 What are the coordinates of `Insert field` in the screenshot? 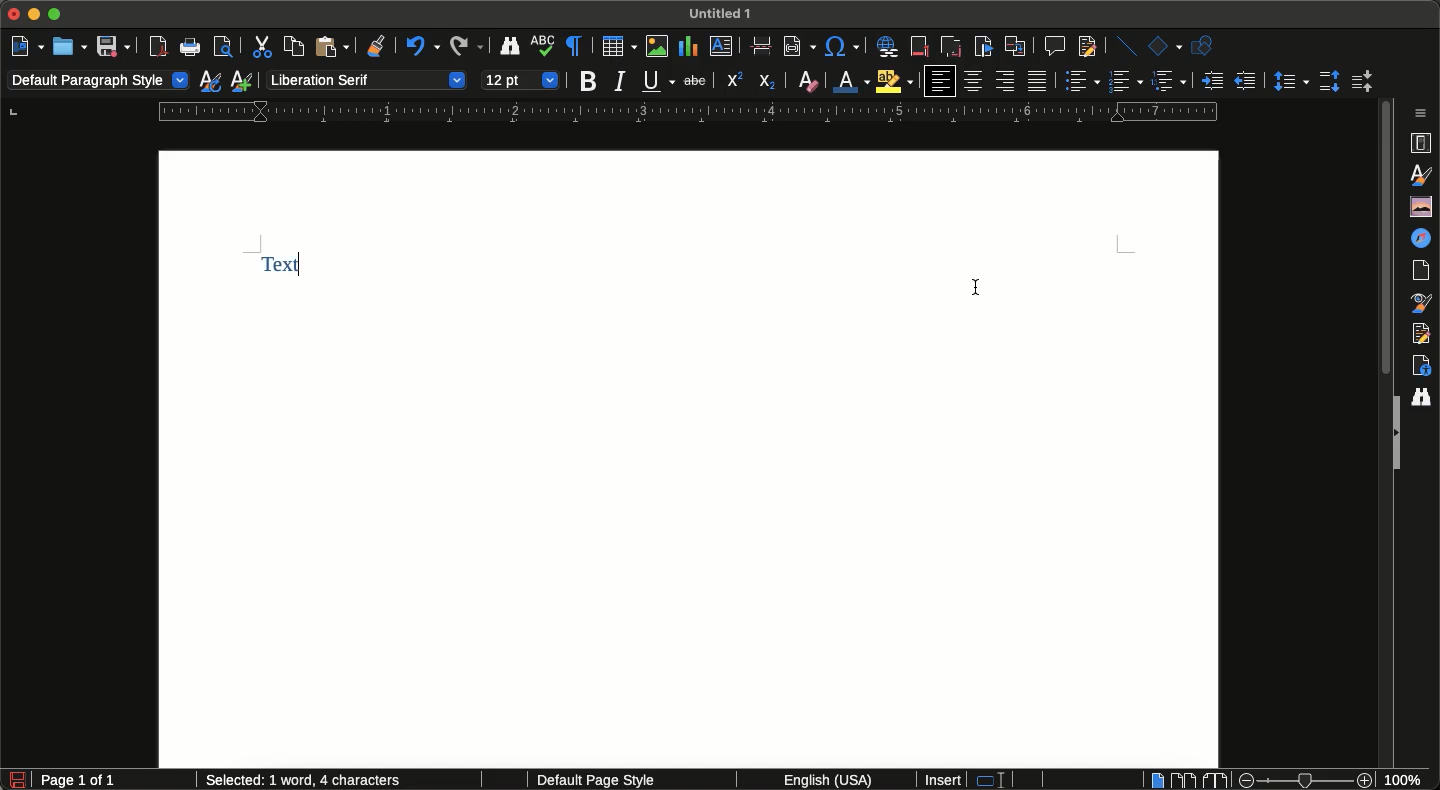 It's located at (798, 45).